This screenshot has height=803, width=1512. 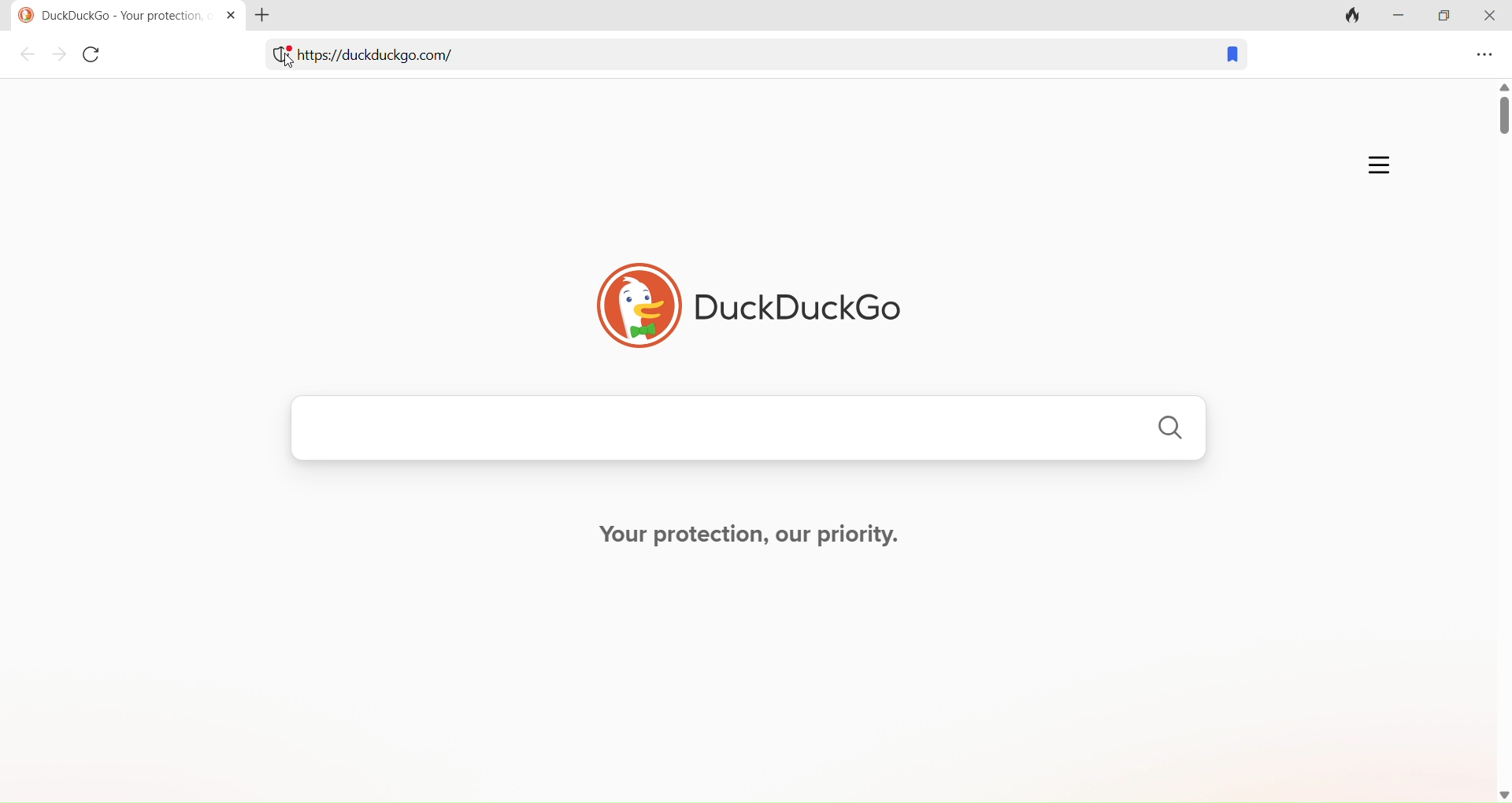 What do you see at coordinates (1482, 57) in the screenshot?
I see `menu` at bounding box center [1482, 57].